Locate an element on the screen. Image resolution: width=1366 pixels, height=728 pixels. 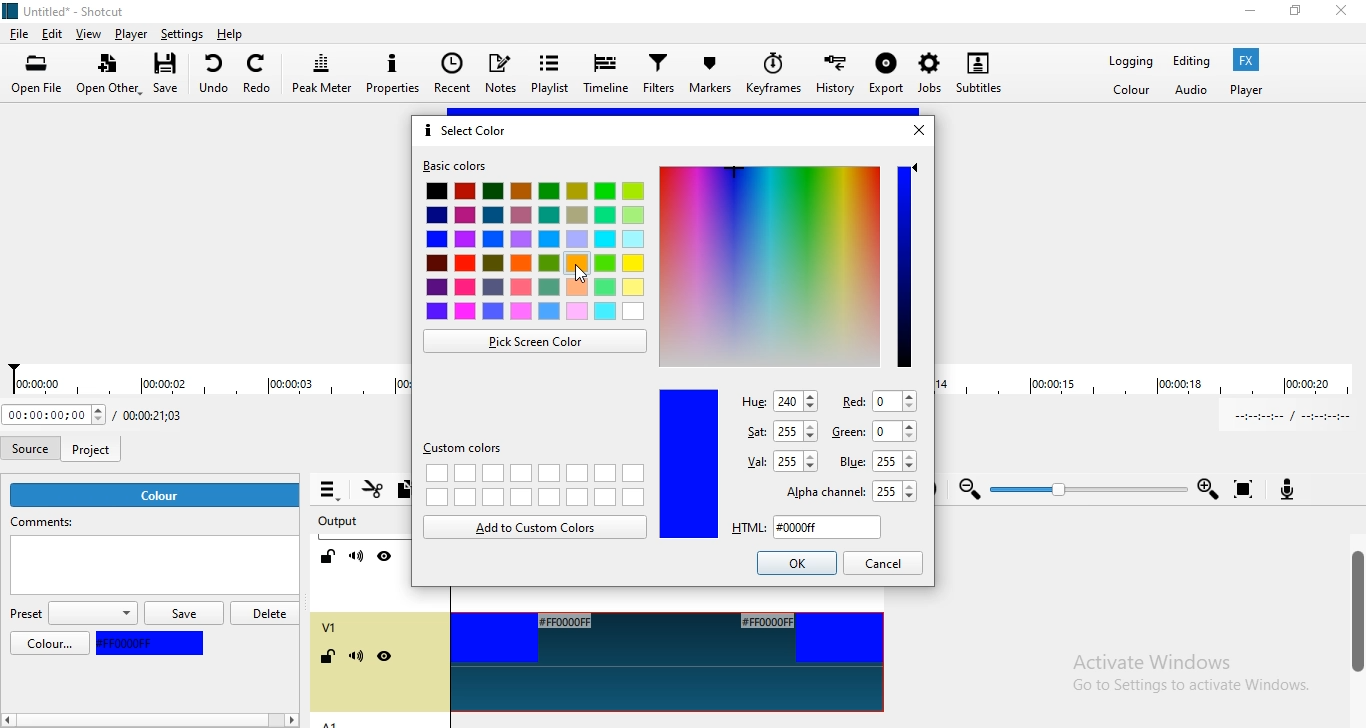
Settings is located at coordinates (184, 35).